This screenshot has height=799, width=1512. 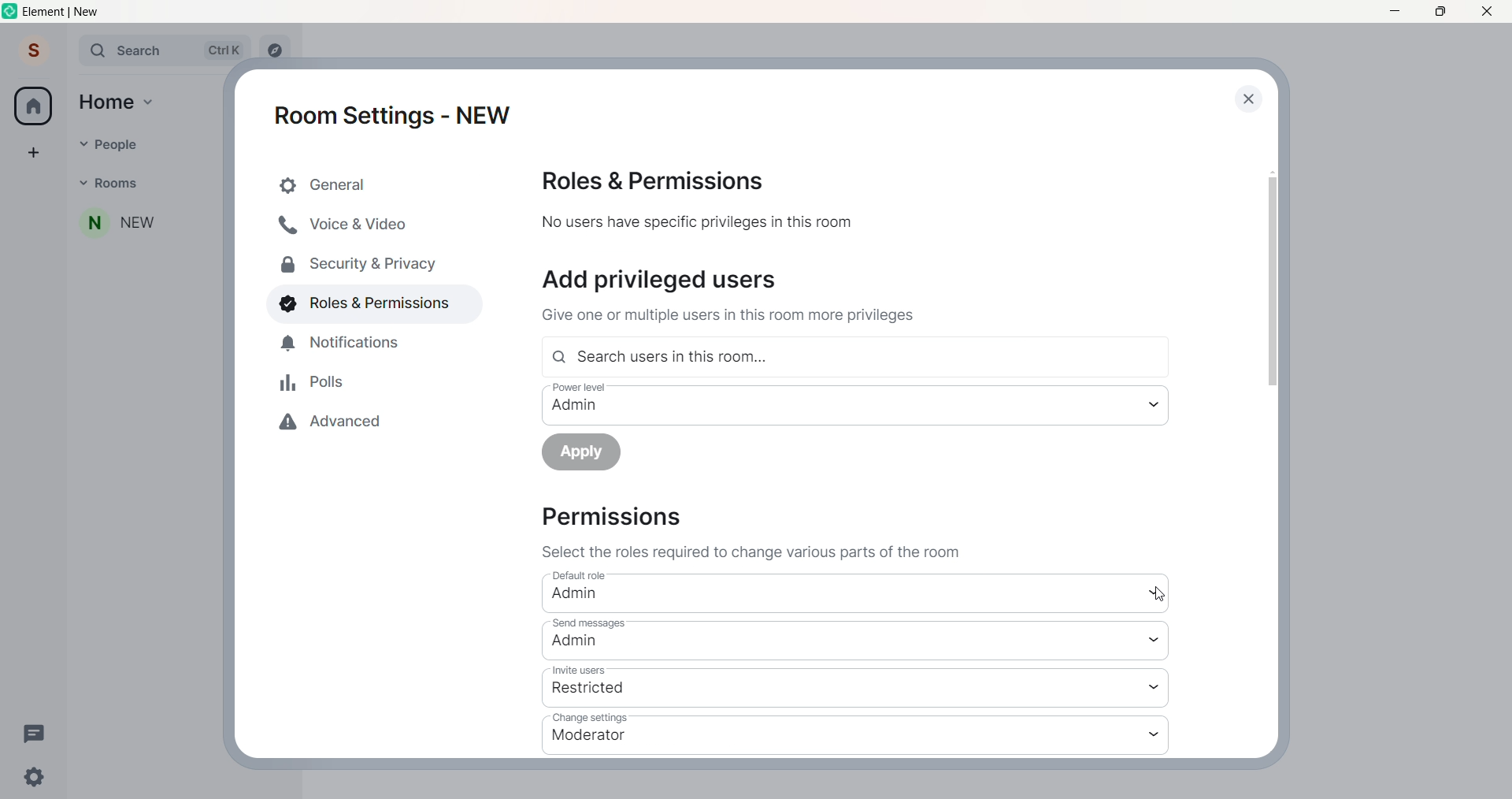 What do you see at coordinates (397, 113) in the screenshot?
I see `room settings` at bounding box center [397, 113].